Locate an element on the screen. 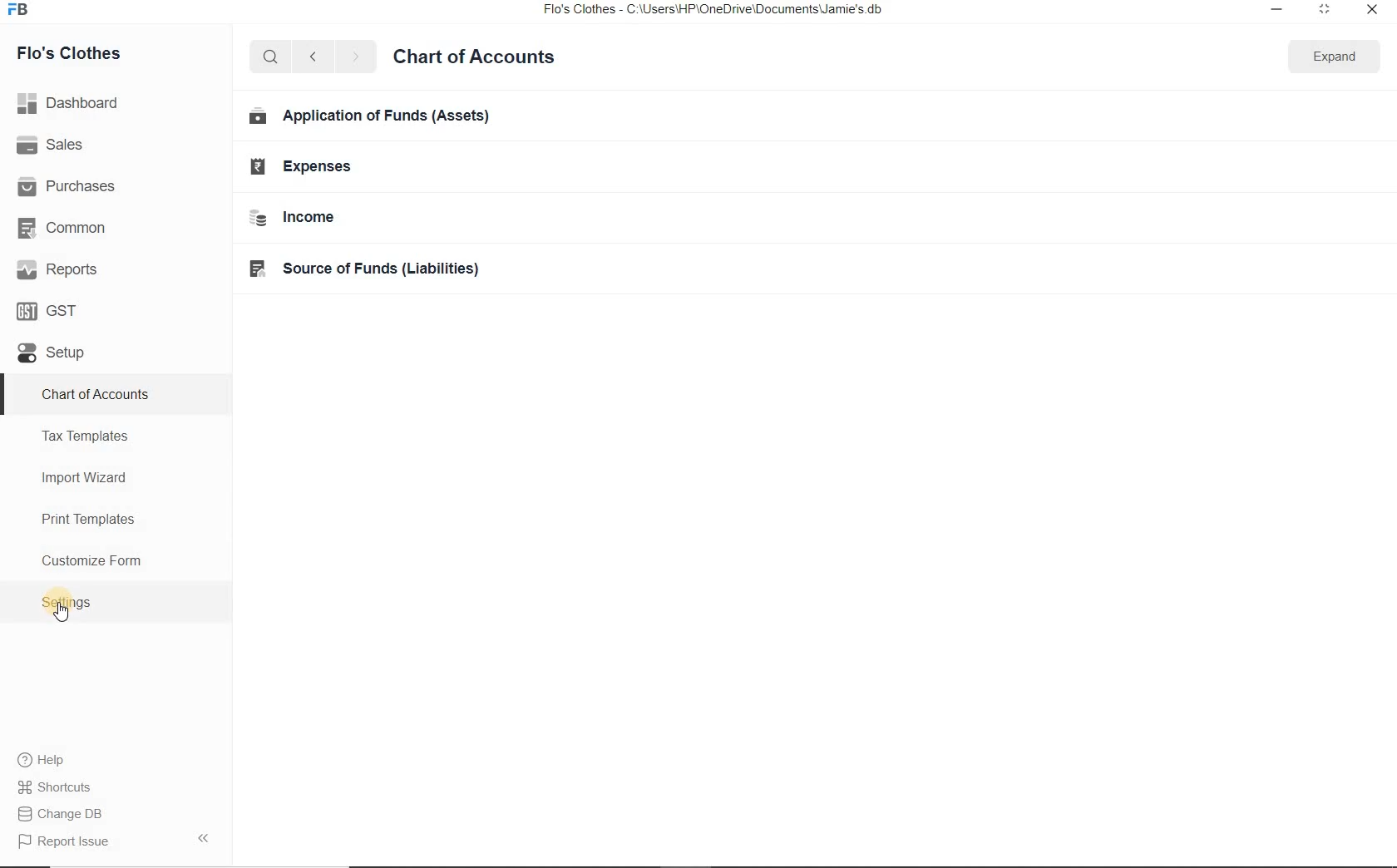  mouse pointer is located at coordinates (65, 614).